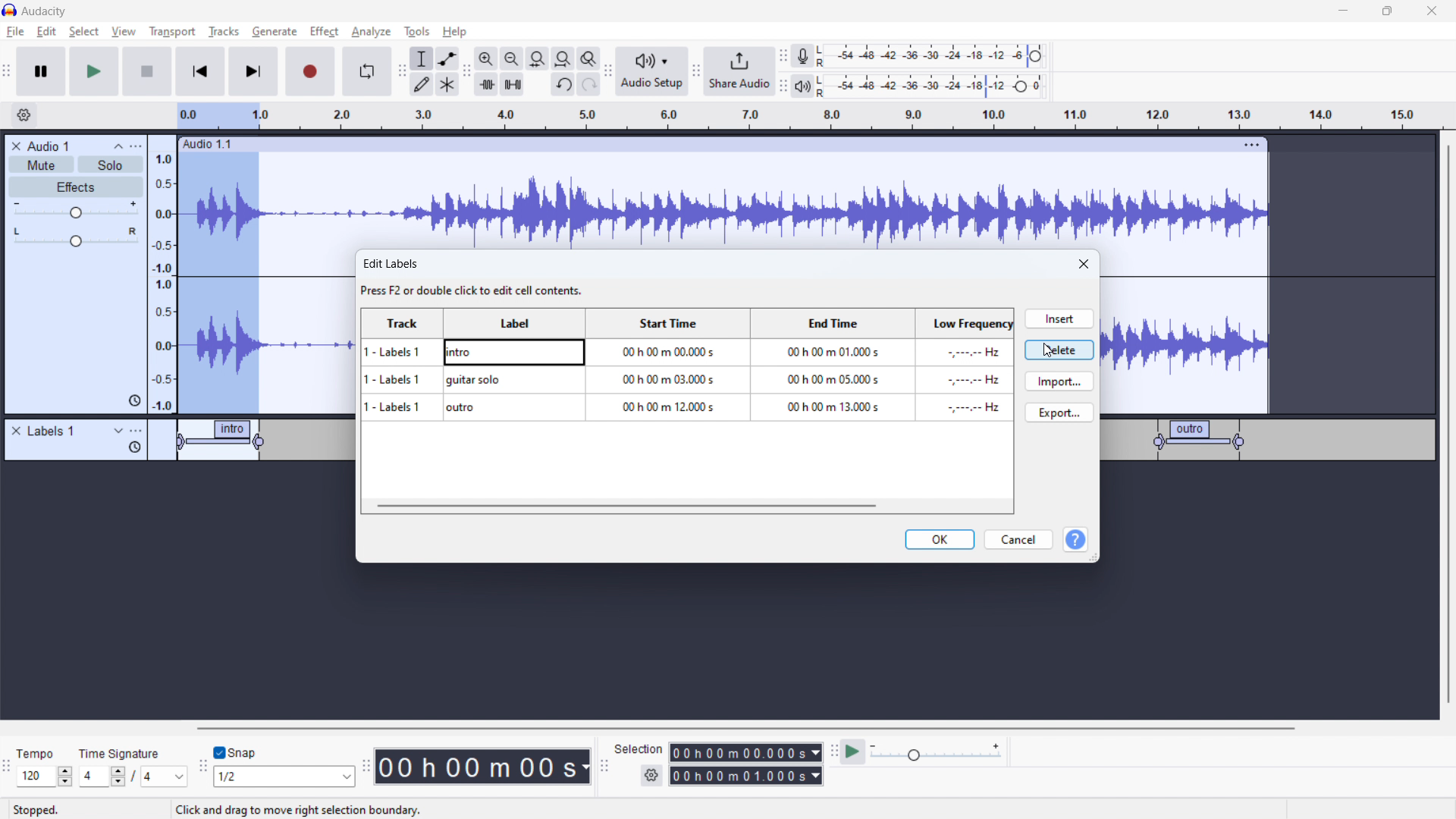  Describe the element at coordinates (1018, 540) in the screenshot. I see `cancel` at that location.